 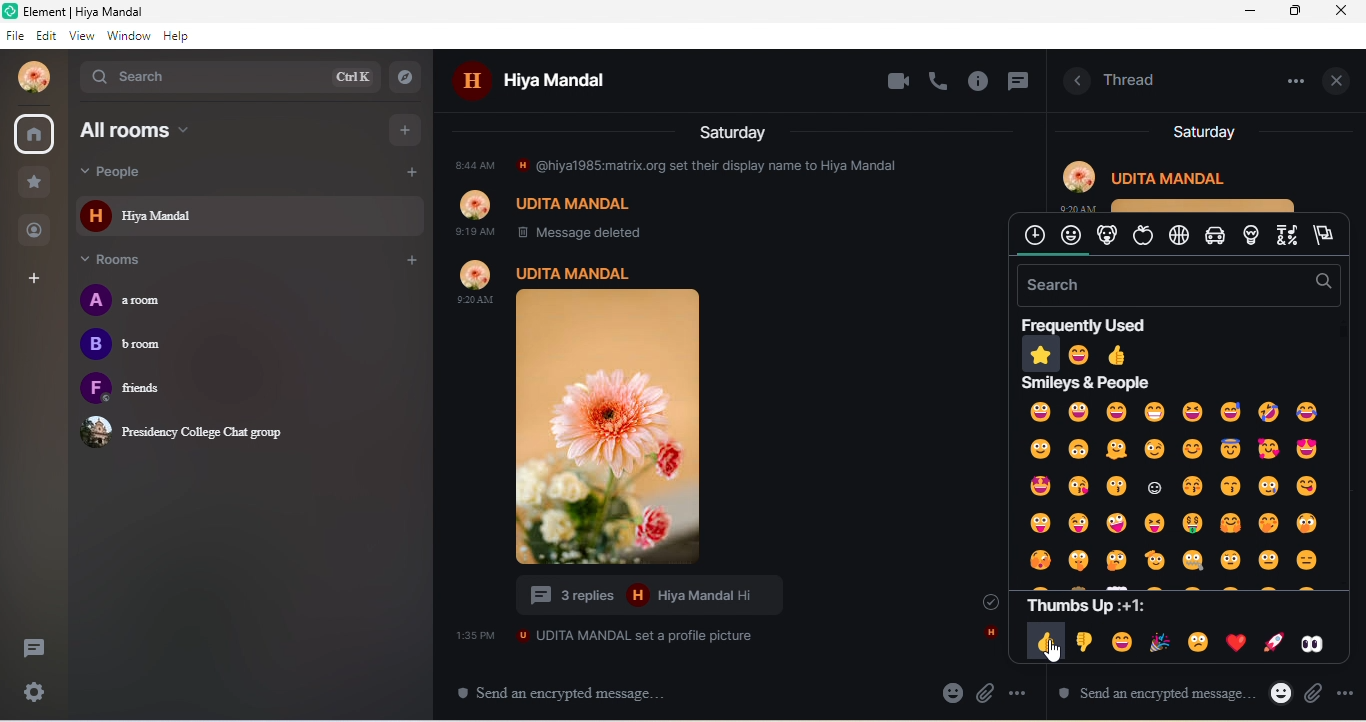 I want to click on help, so click(x=177, y=36).